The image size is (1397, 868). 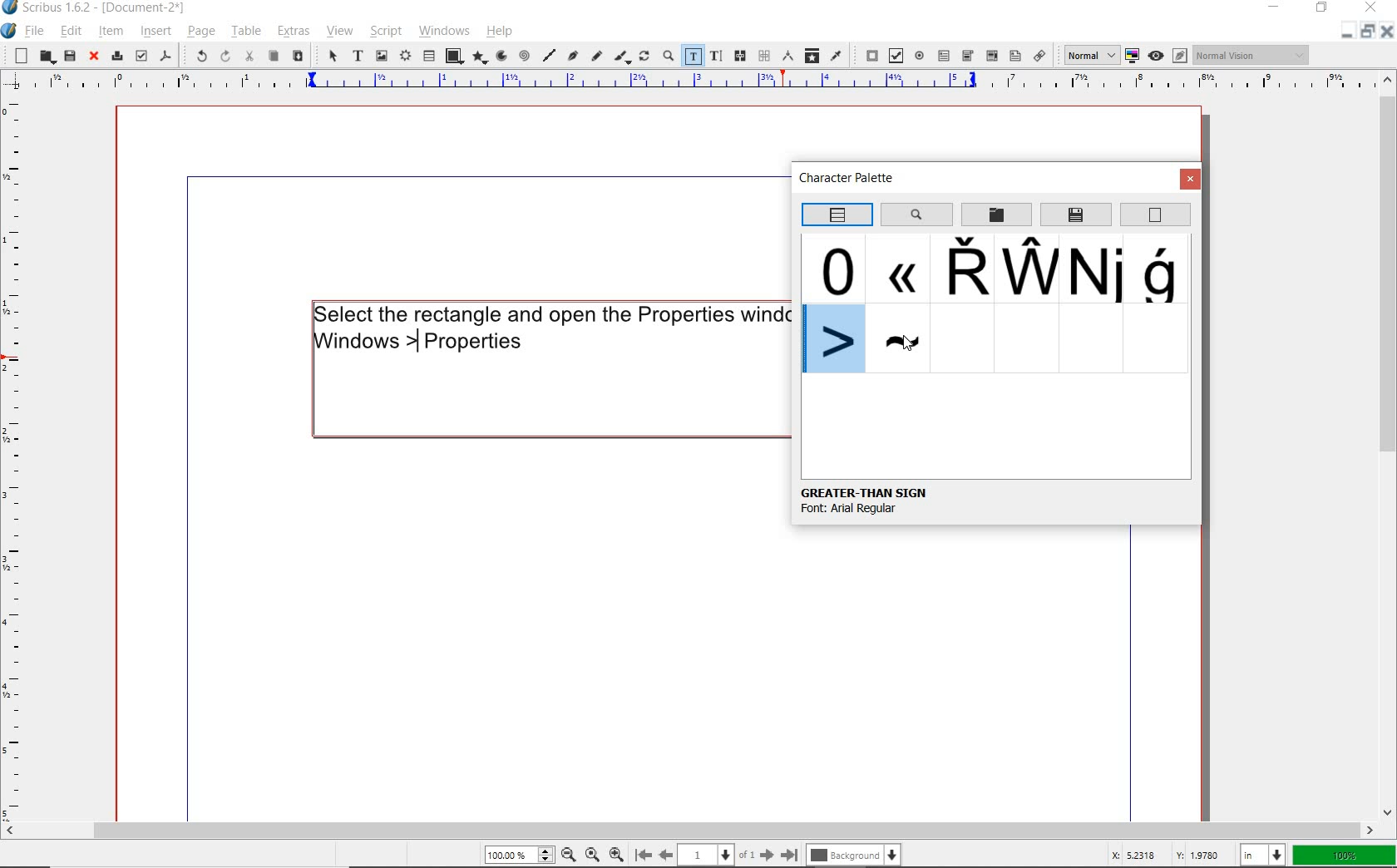 What do you see at coordinates (573, 57) in the screenshot?
I see `Bezier curve` at bounding box center [573, 57].